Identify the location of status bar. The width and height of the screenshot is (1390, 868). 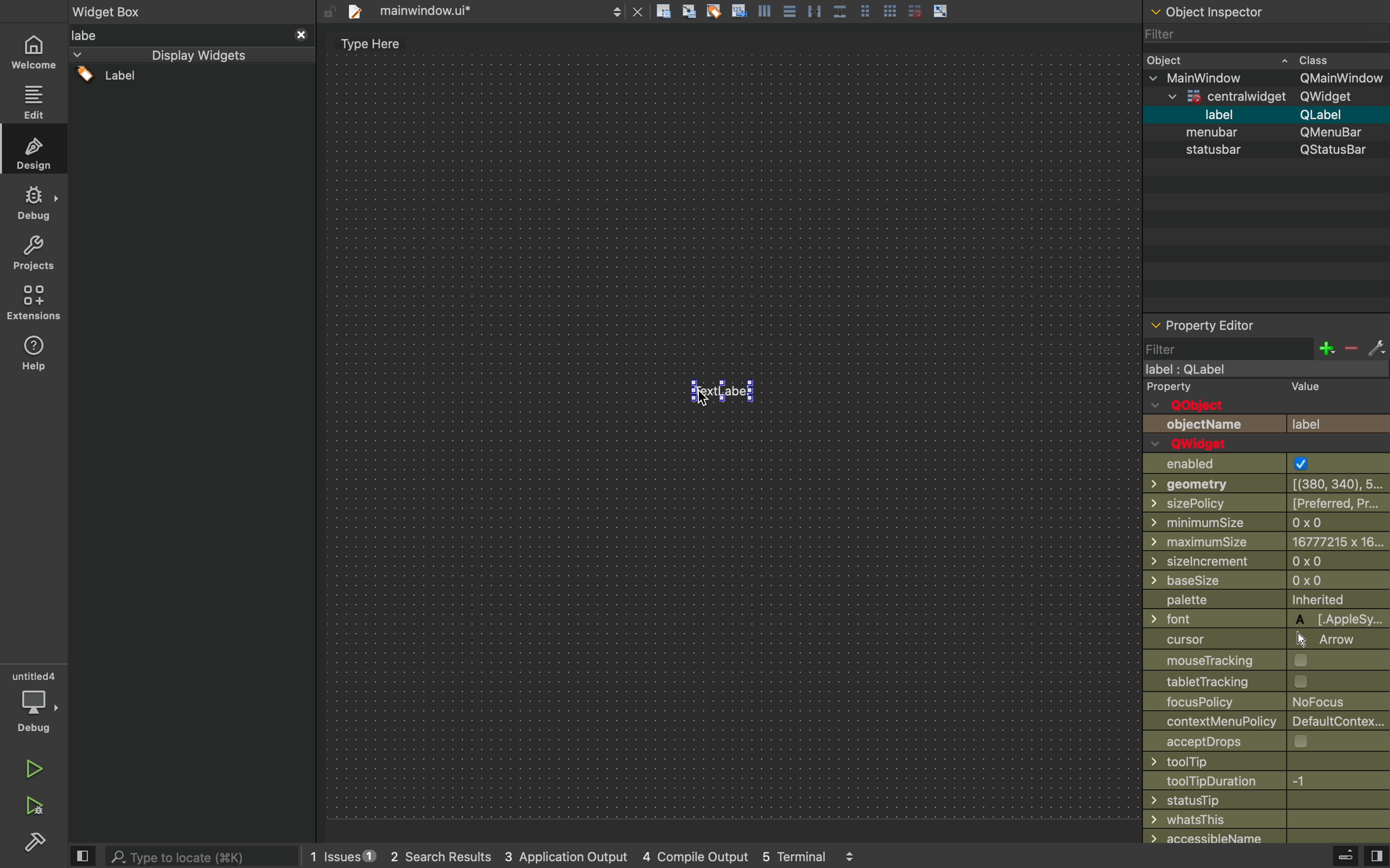
(1267, 133).